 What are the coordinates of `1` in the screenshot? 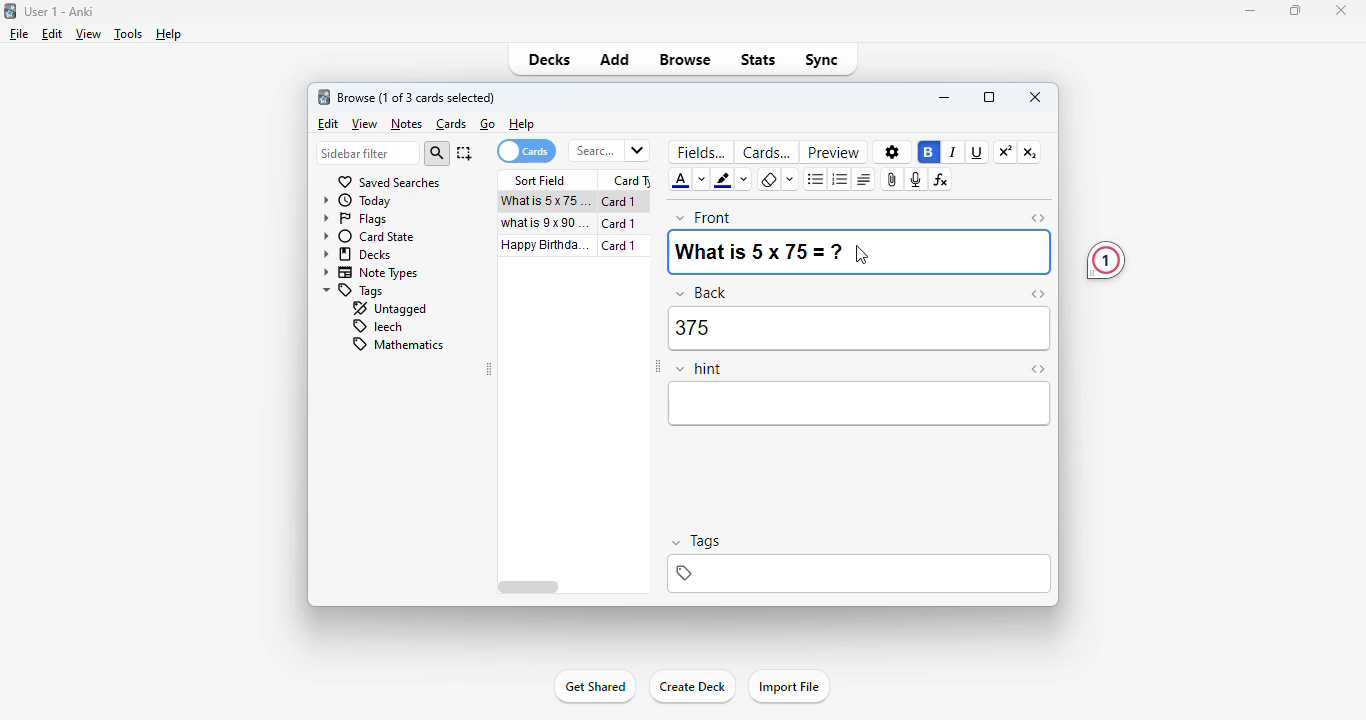 It's located at (1106, 261).